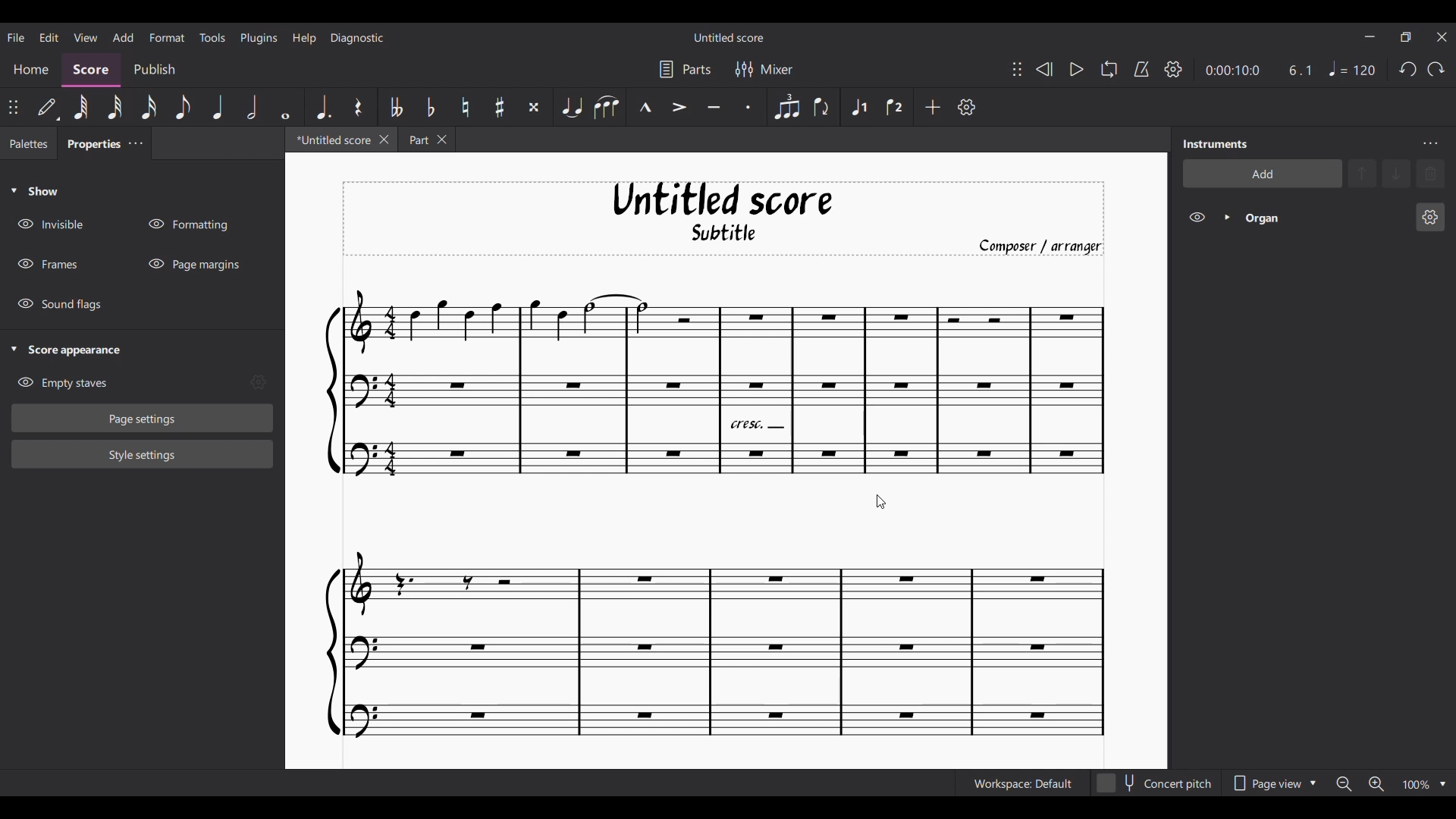 The image size is (1456, 819). Describe the element at coordinates (1396, 173) in the screenshot. I see `Move selection down` at that location.